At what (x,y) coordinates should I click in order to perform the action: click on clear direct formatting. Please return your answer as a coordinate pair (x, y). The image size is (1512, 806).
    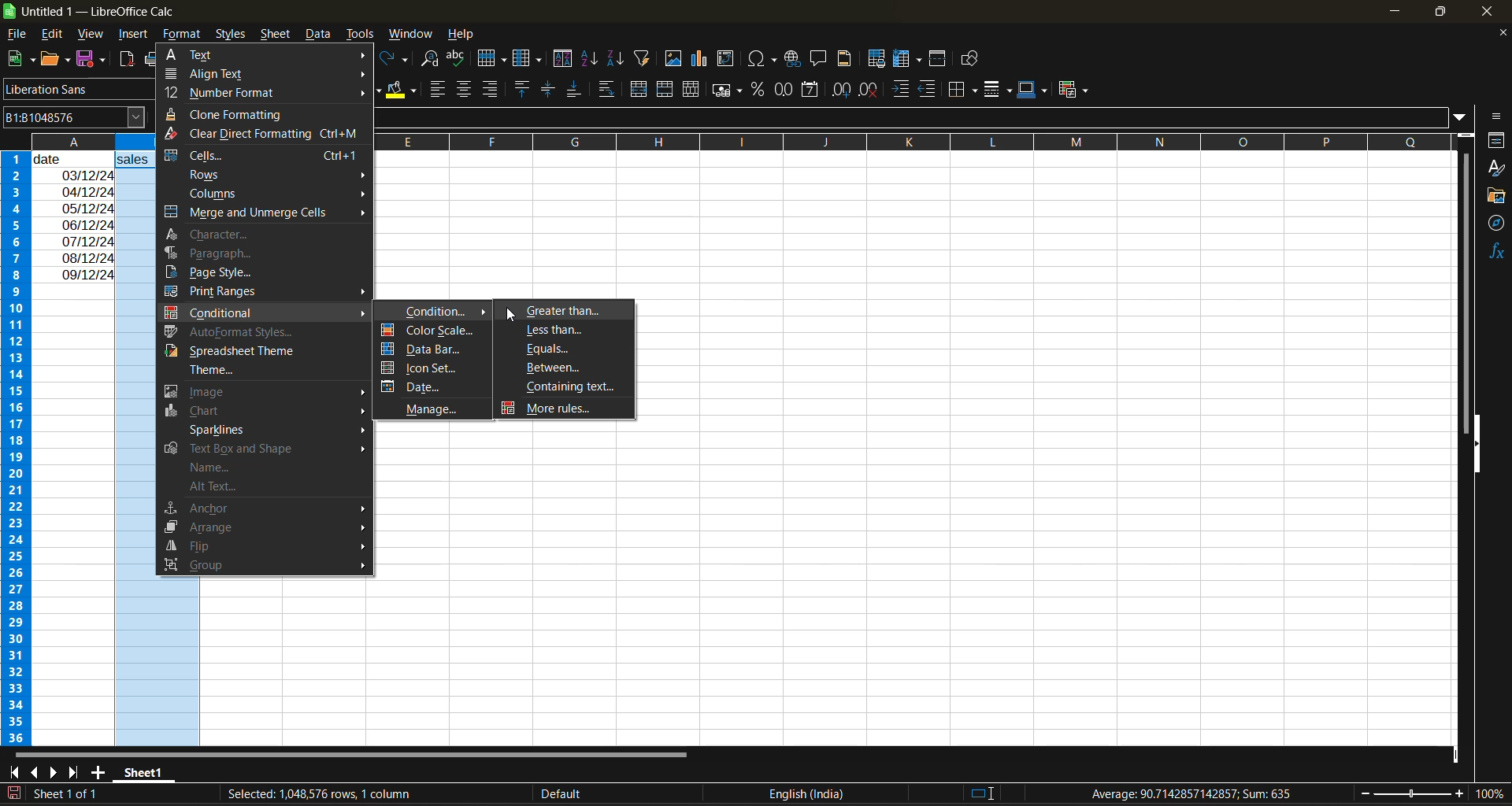
    Looking at the image, I should click on (262, 135).